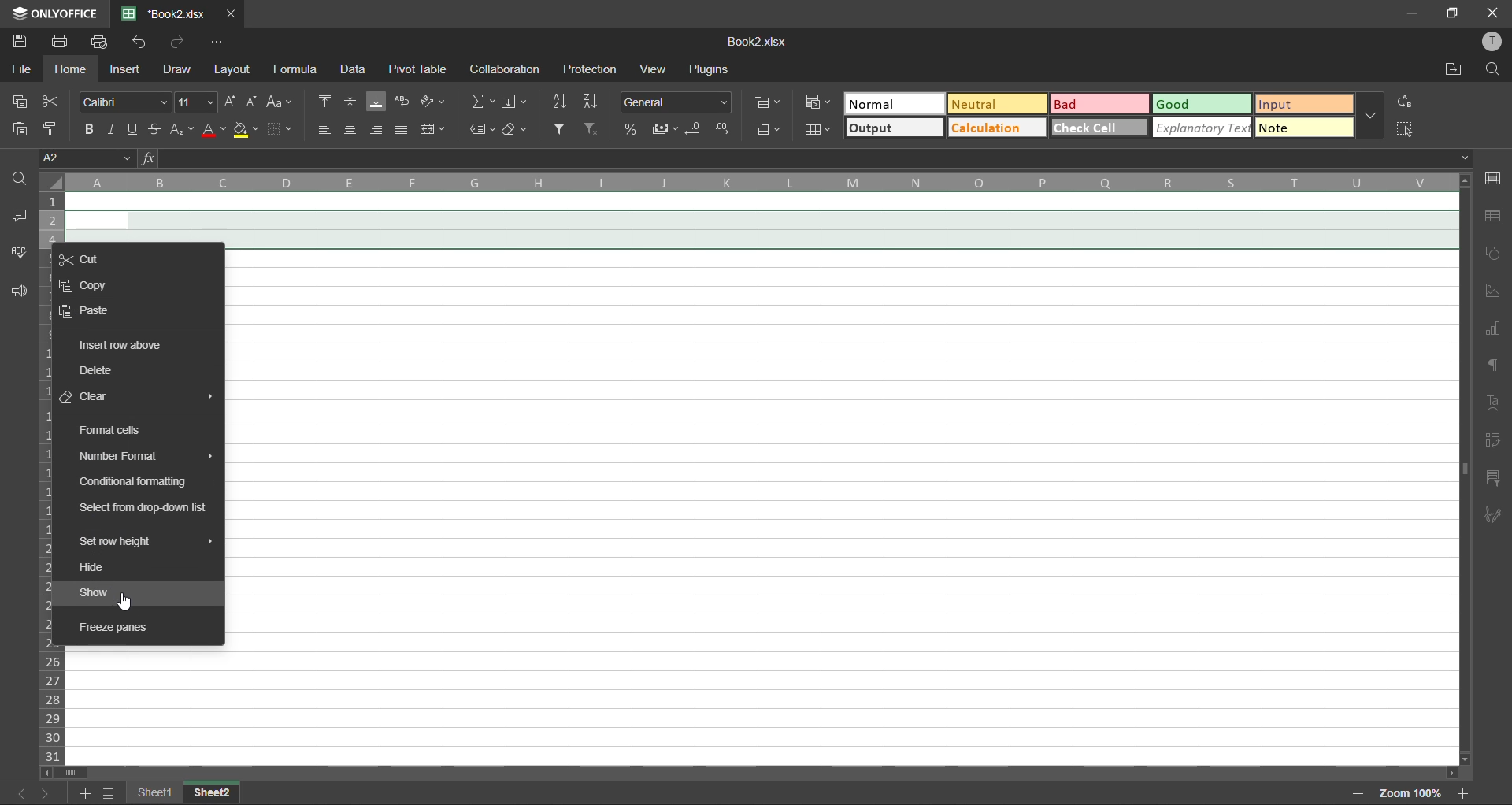 The image size is (1512, 805). Describe the element at coordinates (521, 104) in the screenshot. I see `fields` at that location.